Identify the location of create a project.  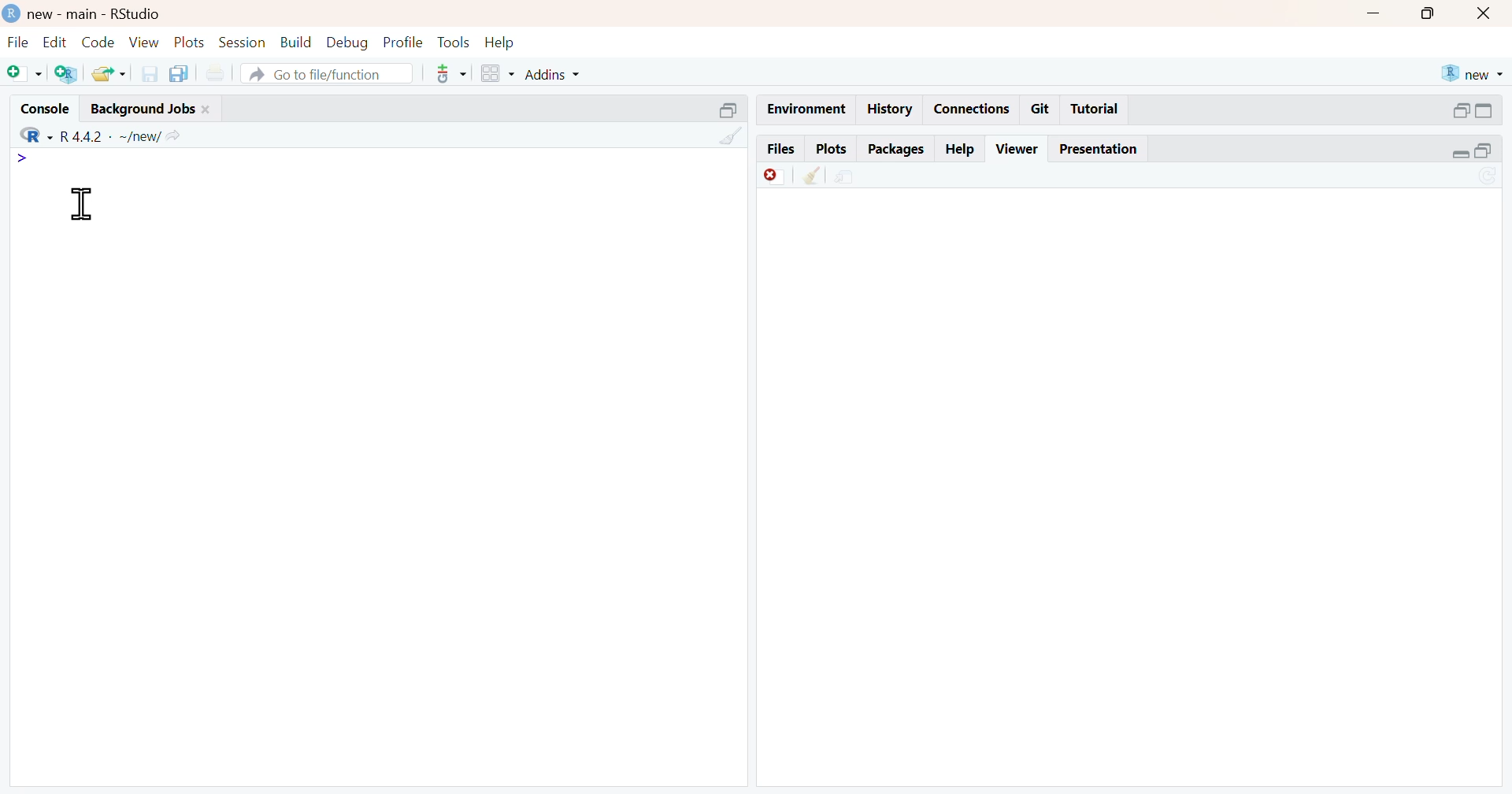
(69, 74).